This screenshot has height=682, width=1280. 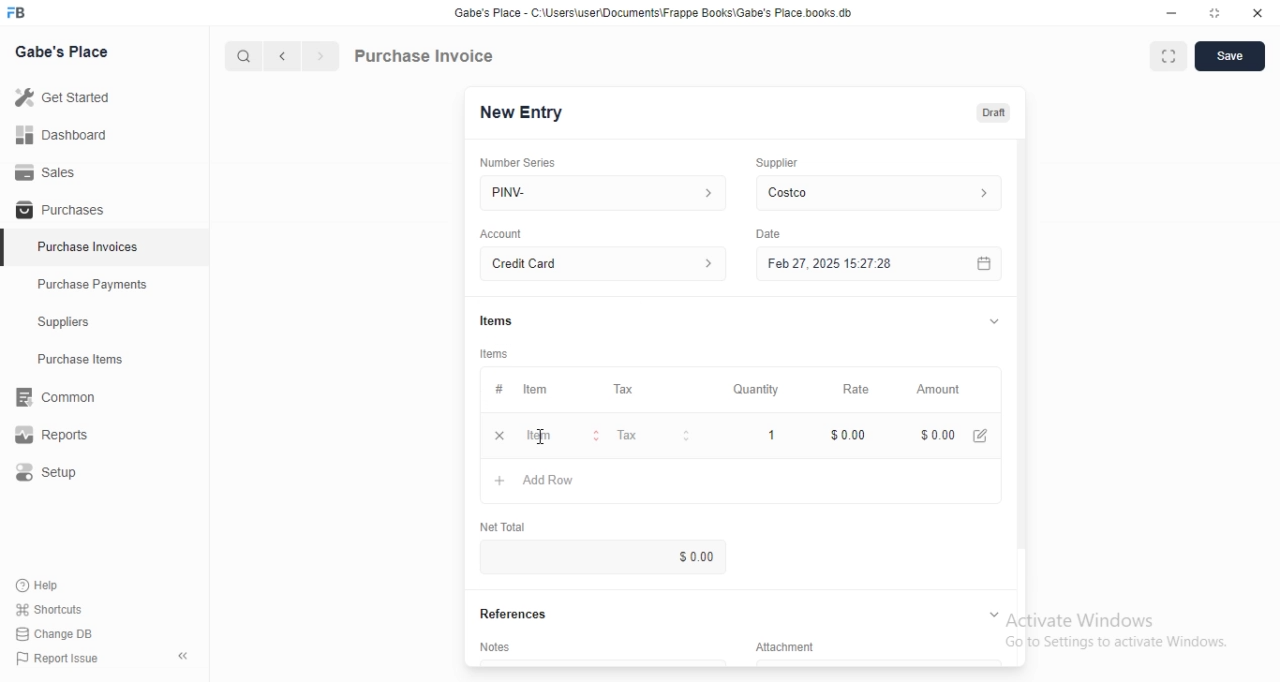 What do you see at coordinates (785, 646) in the screenshot?
I see `Attachment` at bounding box center [785, 646].